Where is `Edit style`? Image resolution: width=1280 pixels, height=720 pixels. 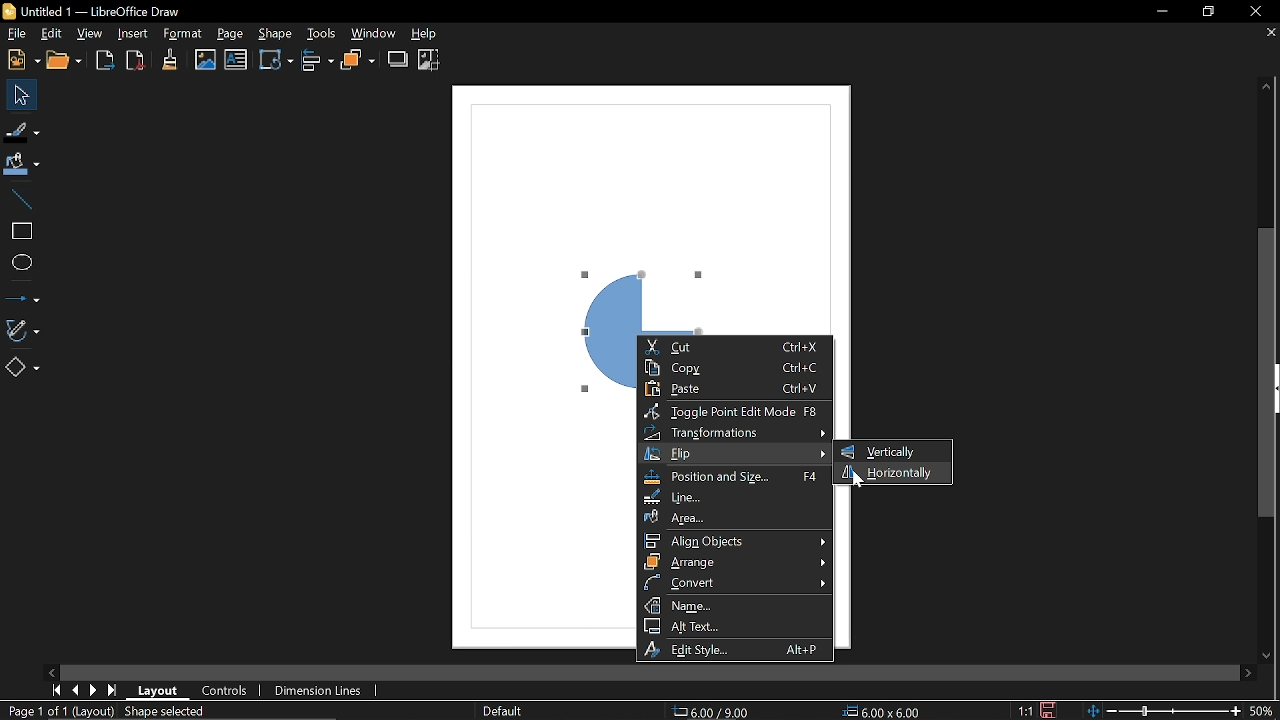
Edit style is located at coordinates (735, 649).